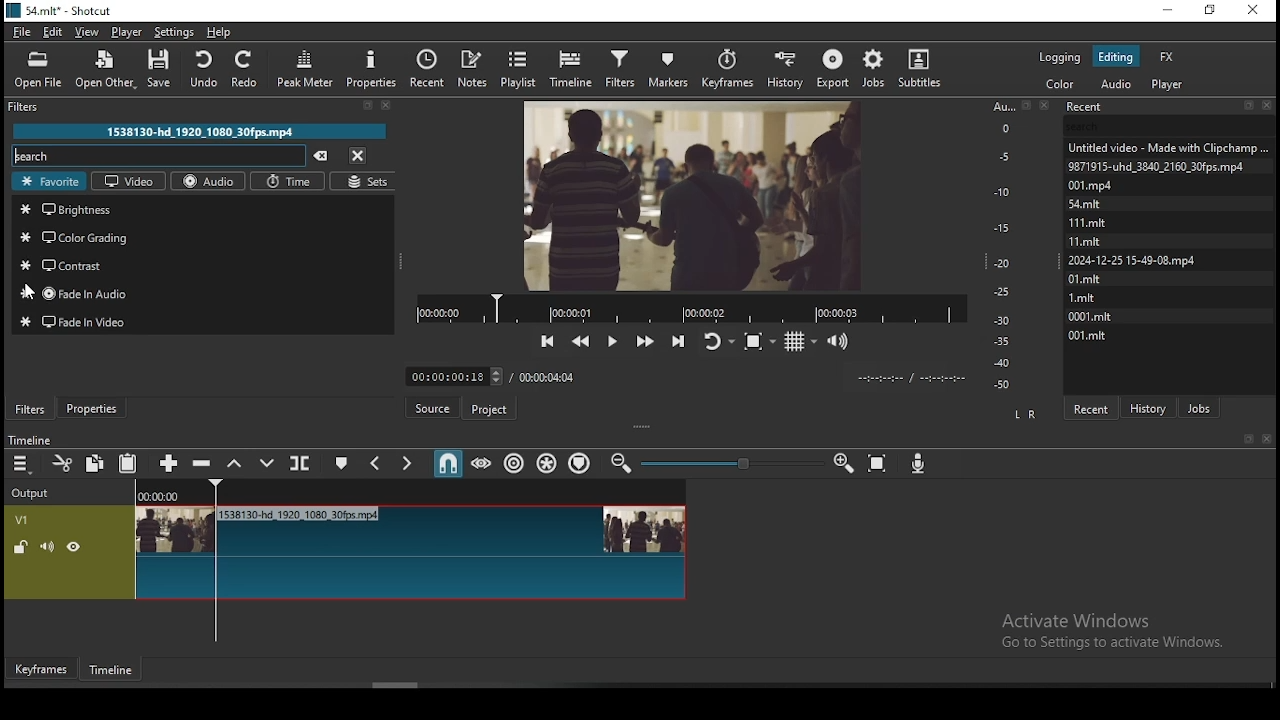 The width and height of the screenshot is (1280, 720). What do you see at coordinates (475, 68) in the screenshot?
I see `notes` at bounding box center [475, 68].